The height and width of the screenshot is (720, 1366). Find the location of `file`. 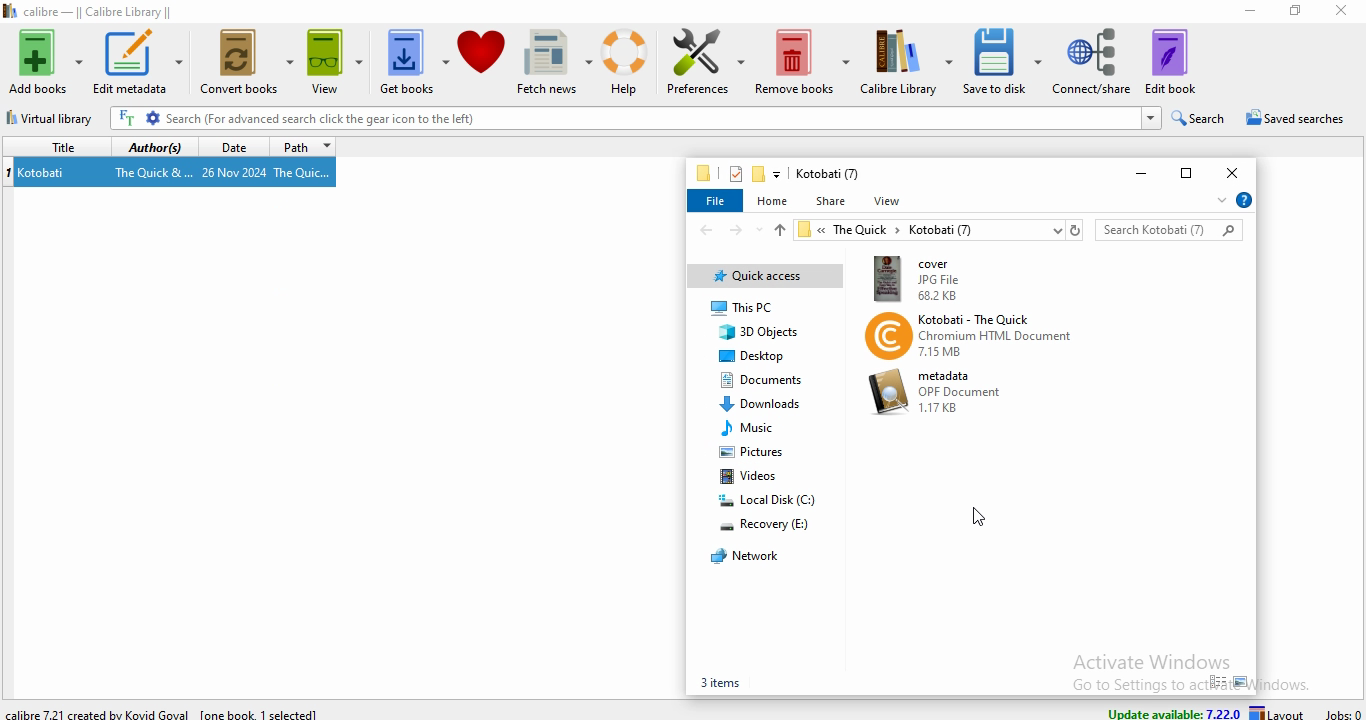

file is located at coordinates (716, 202).